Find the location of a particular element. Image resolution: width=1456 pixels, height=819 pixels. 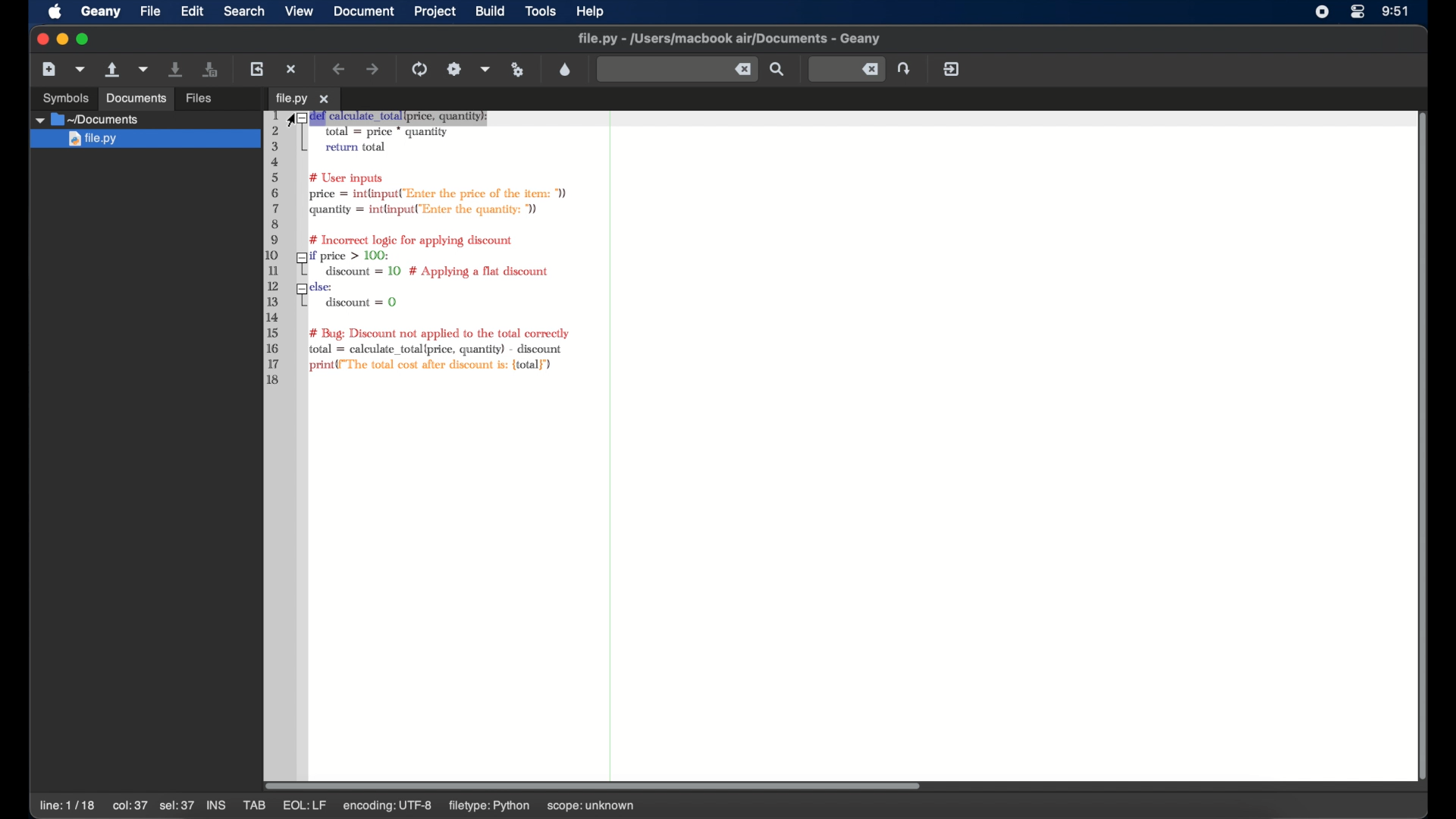

quit geany is located at coordinates (952, 70).